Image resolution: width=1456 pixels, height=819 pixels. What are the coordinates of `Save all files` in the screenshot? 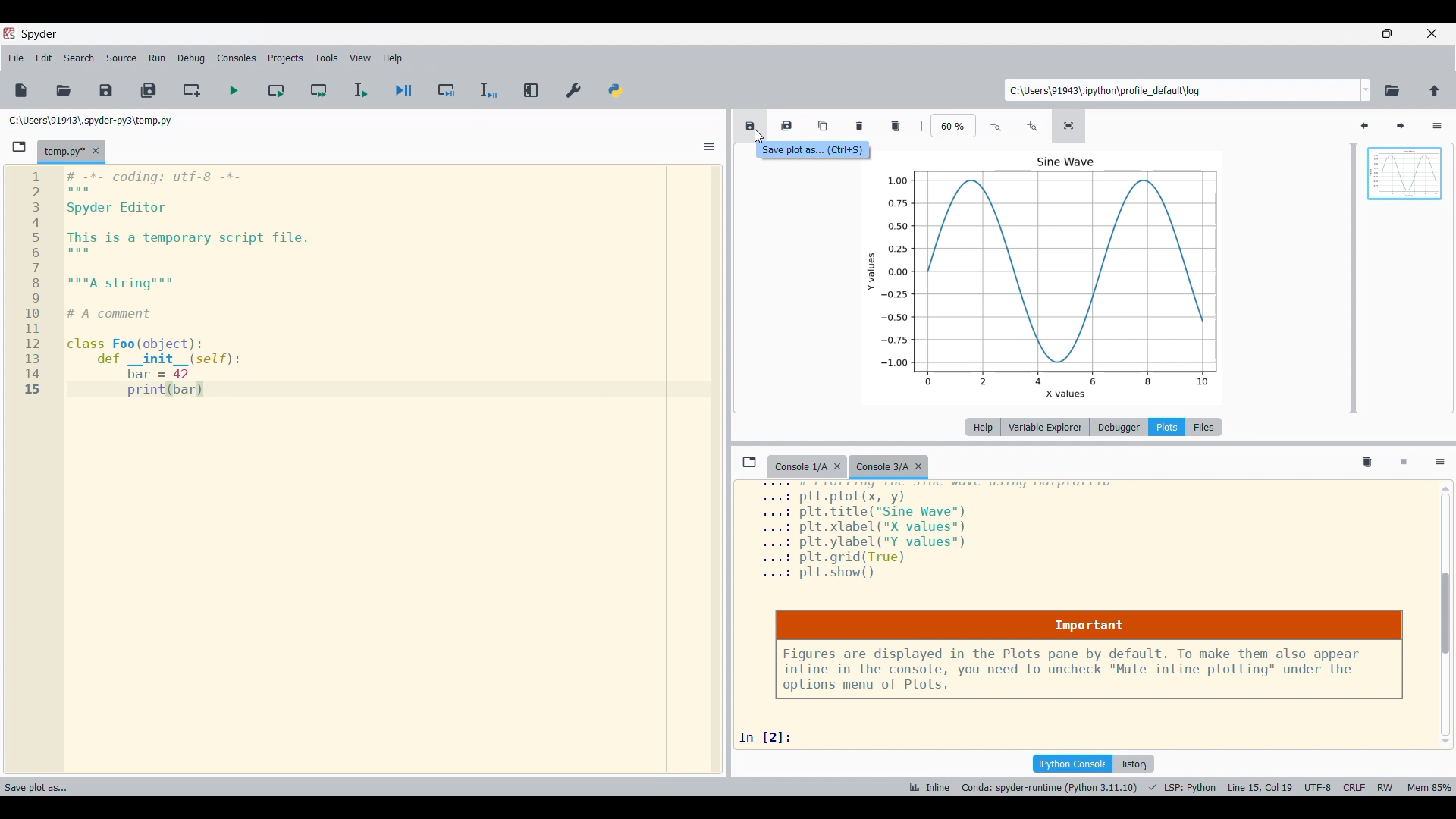 It's located at (149, 90).